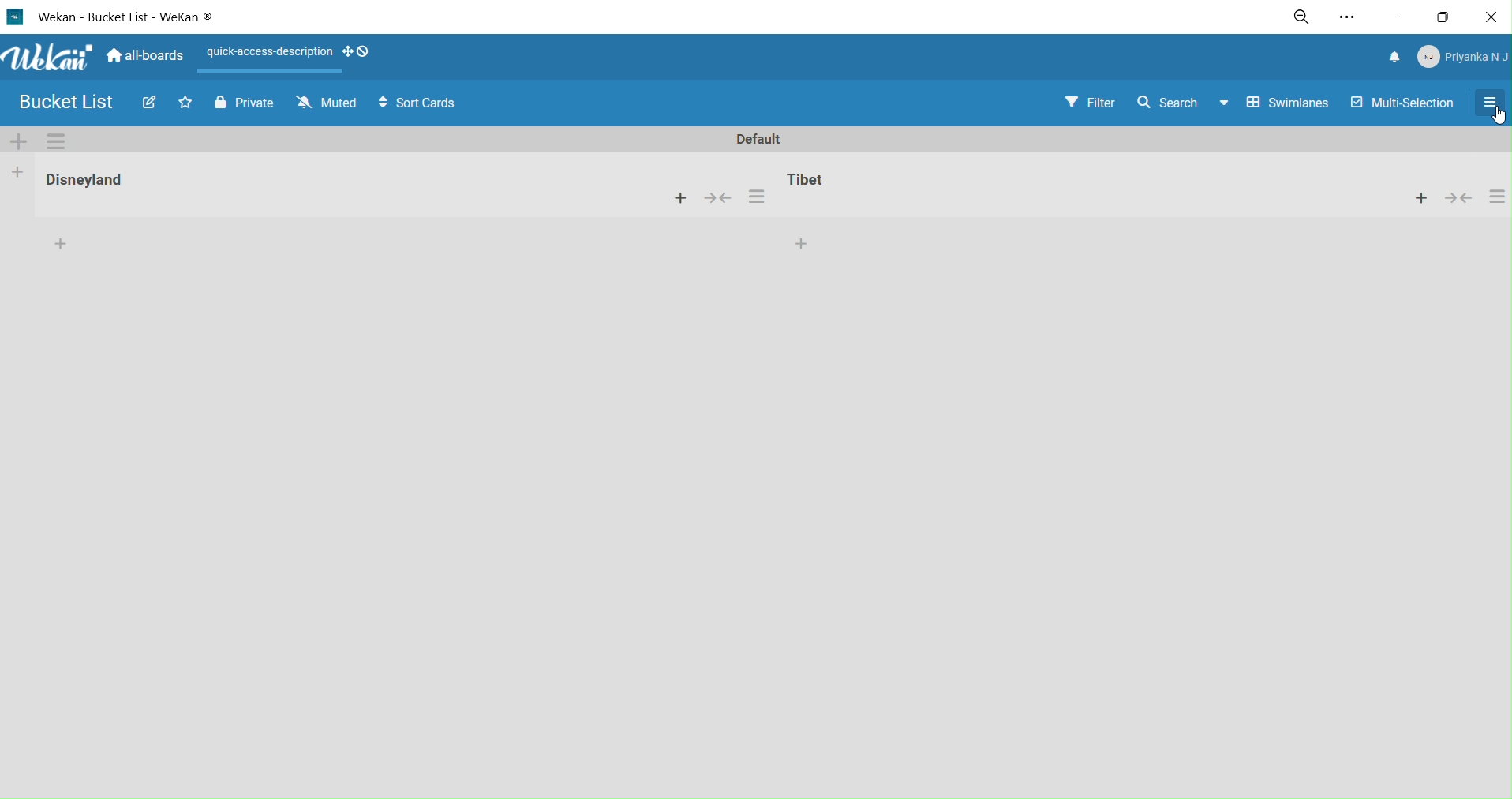 This screenshot has height=799, width=1512. What do you see at coordinates (410, 103) in the screenshot?
I see `sort cards` at bounding box center [410, 103].